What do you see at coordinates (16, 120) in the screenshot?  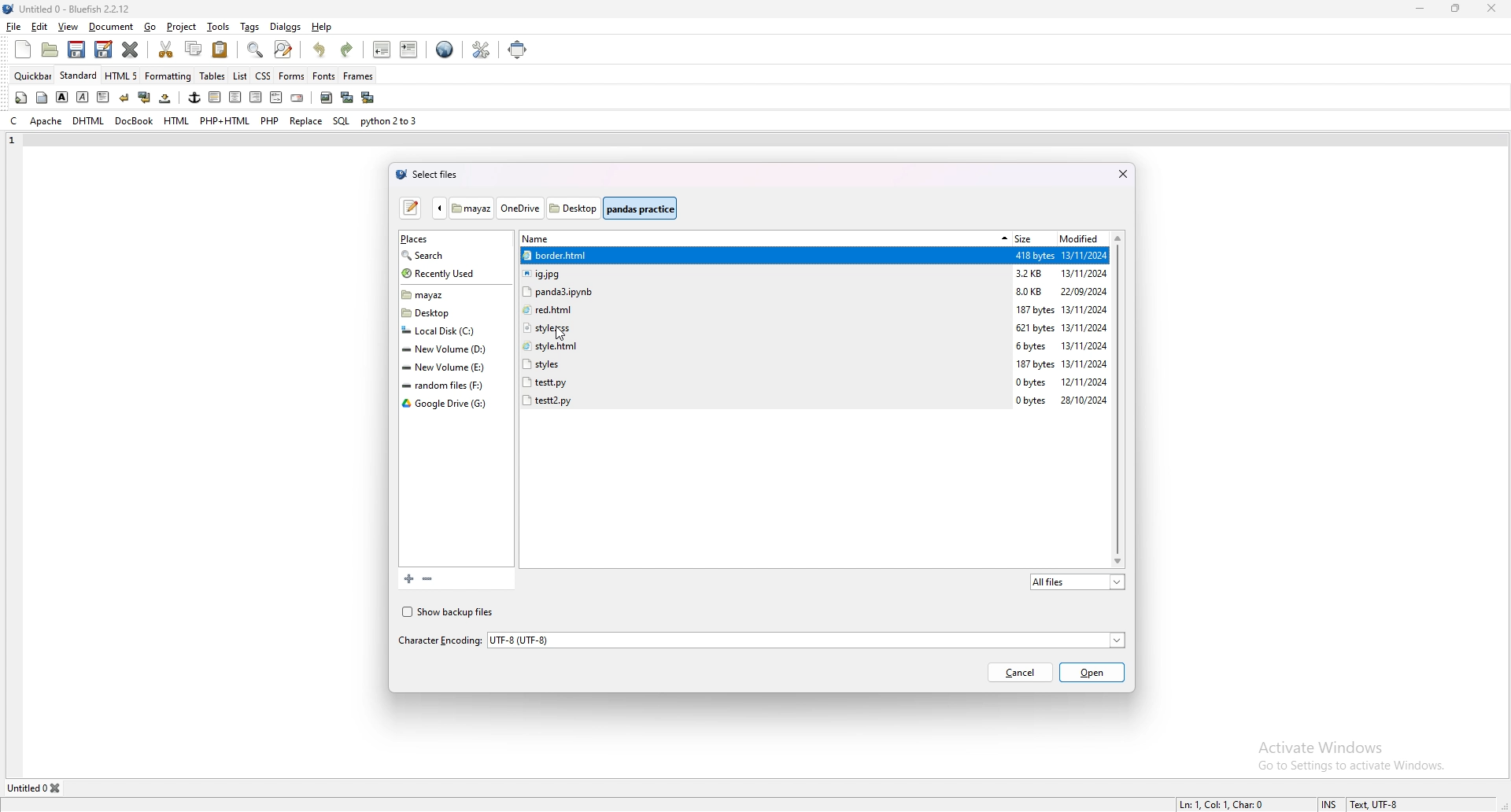 I see `c` at bounding box center [16, 120].